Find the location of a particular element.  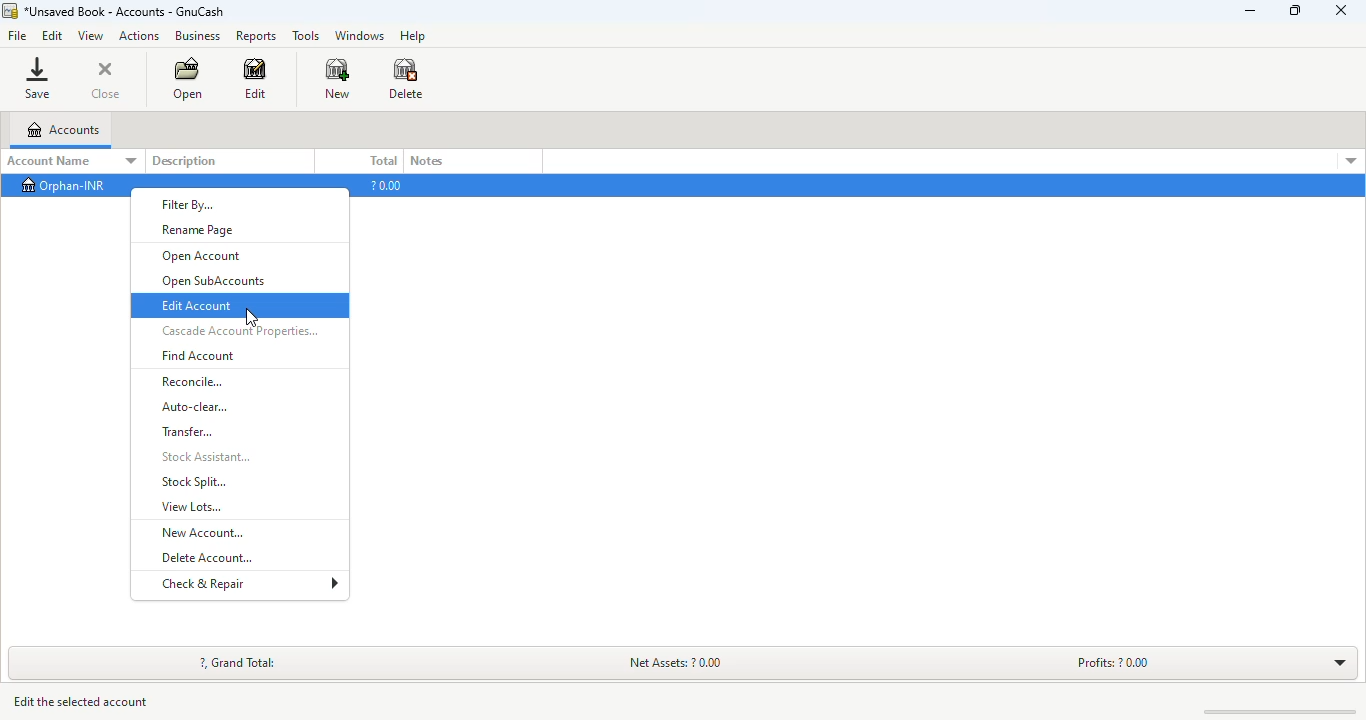

open is located at coordinates (188, 79).